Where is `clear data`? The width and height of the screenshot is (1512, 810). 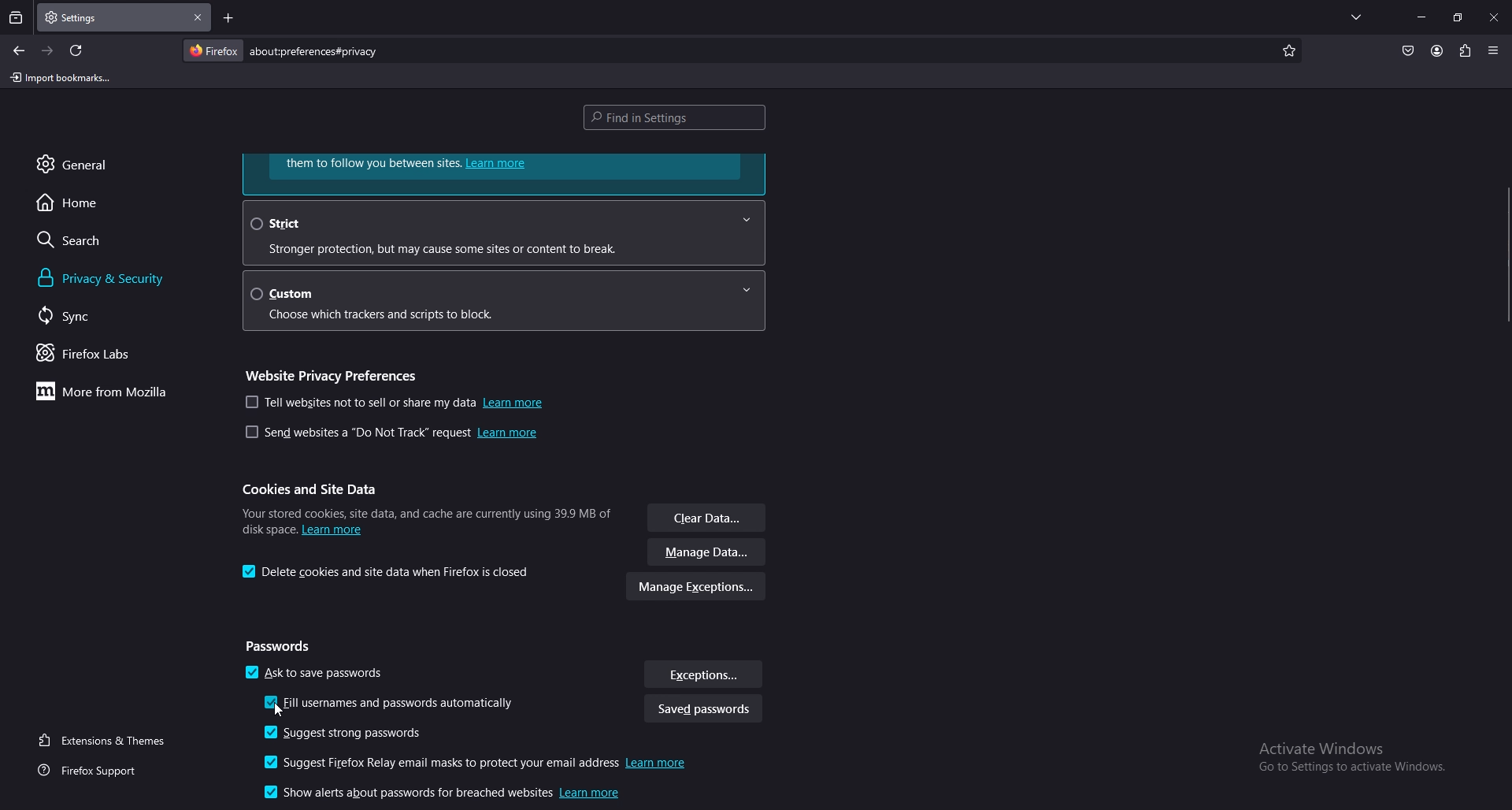
clear data is located at coordinates (708, 519).